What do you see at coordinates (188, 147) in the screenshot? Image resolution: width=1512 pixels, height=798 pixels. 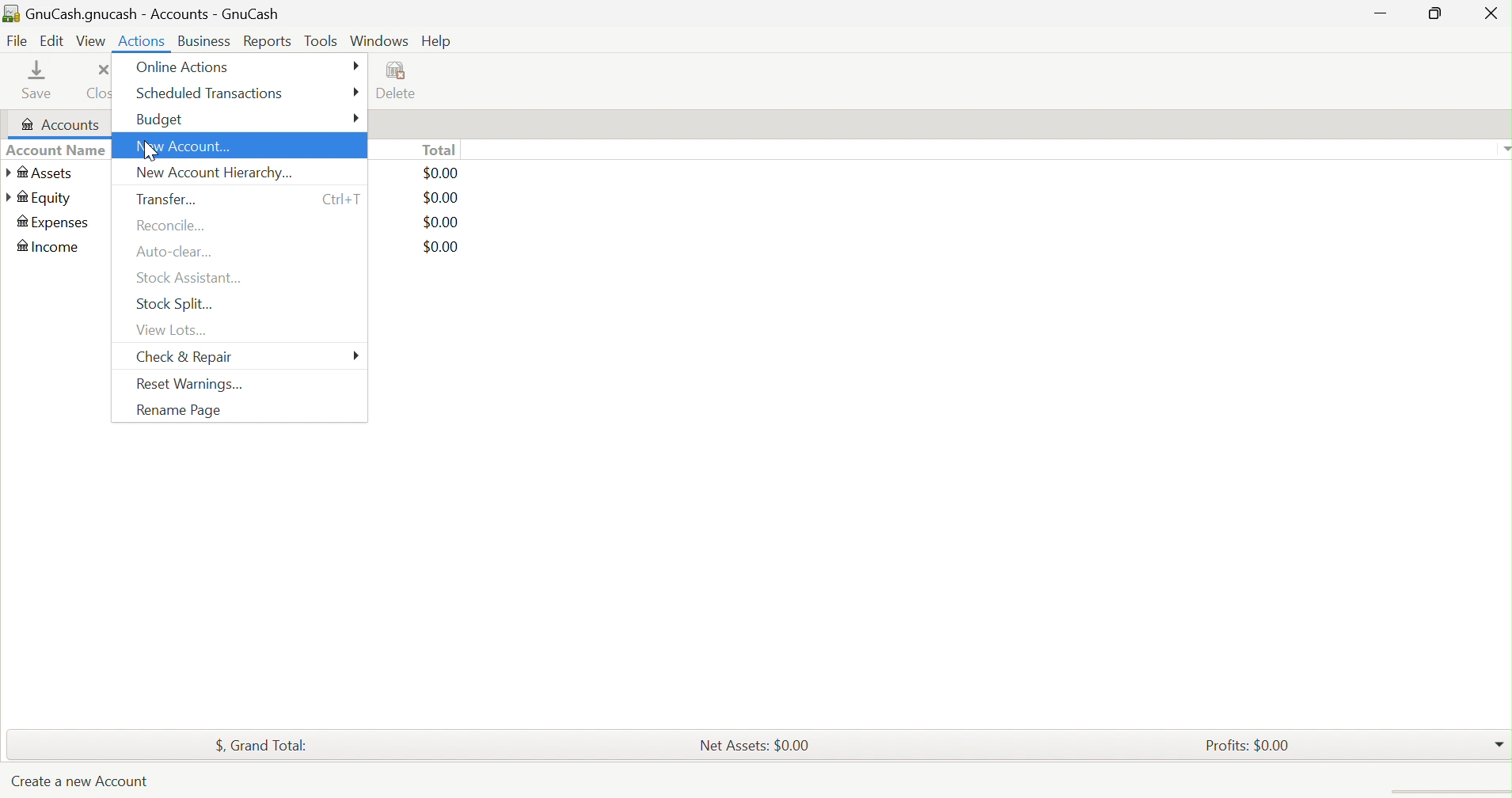 I see `New Account` at bounding box center [188, 147].